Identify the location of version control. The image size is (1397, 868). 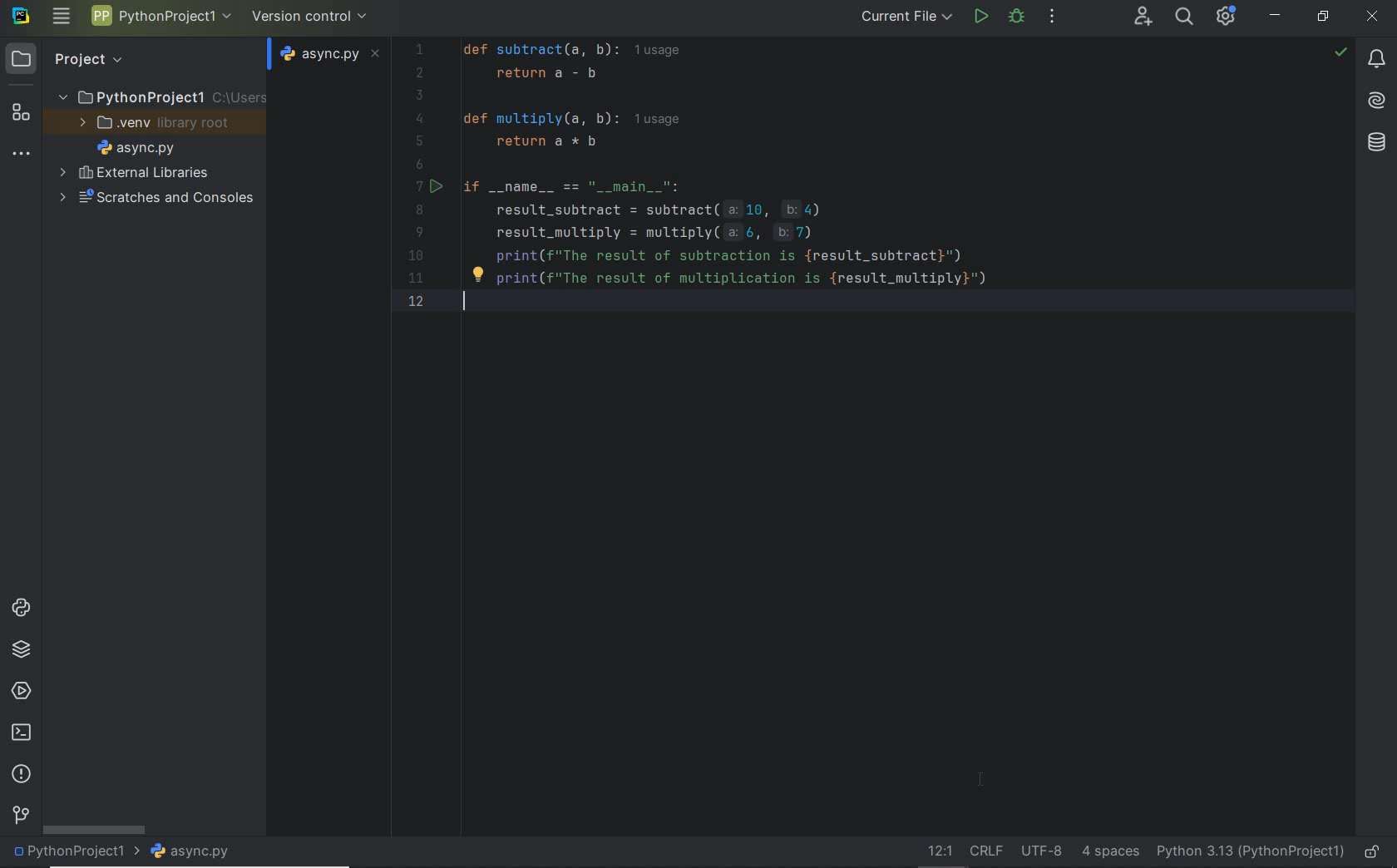
(20, 817).